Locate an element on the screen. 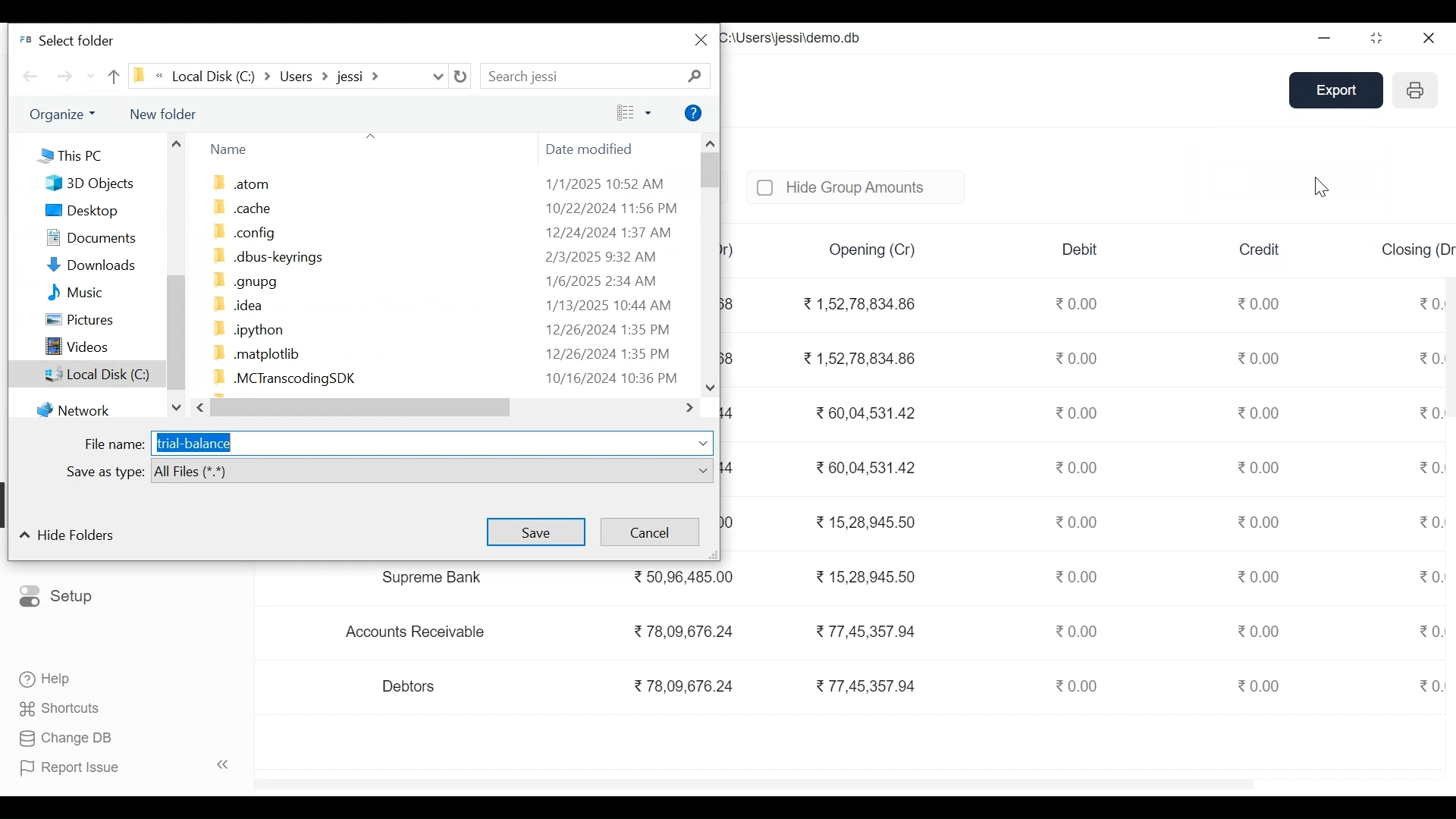  0.00 is located at coordinates (1429, 685).